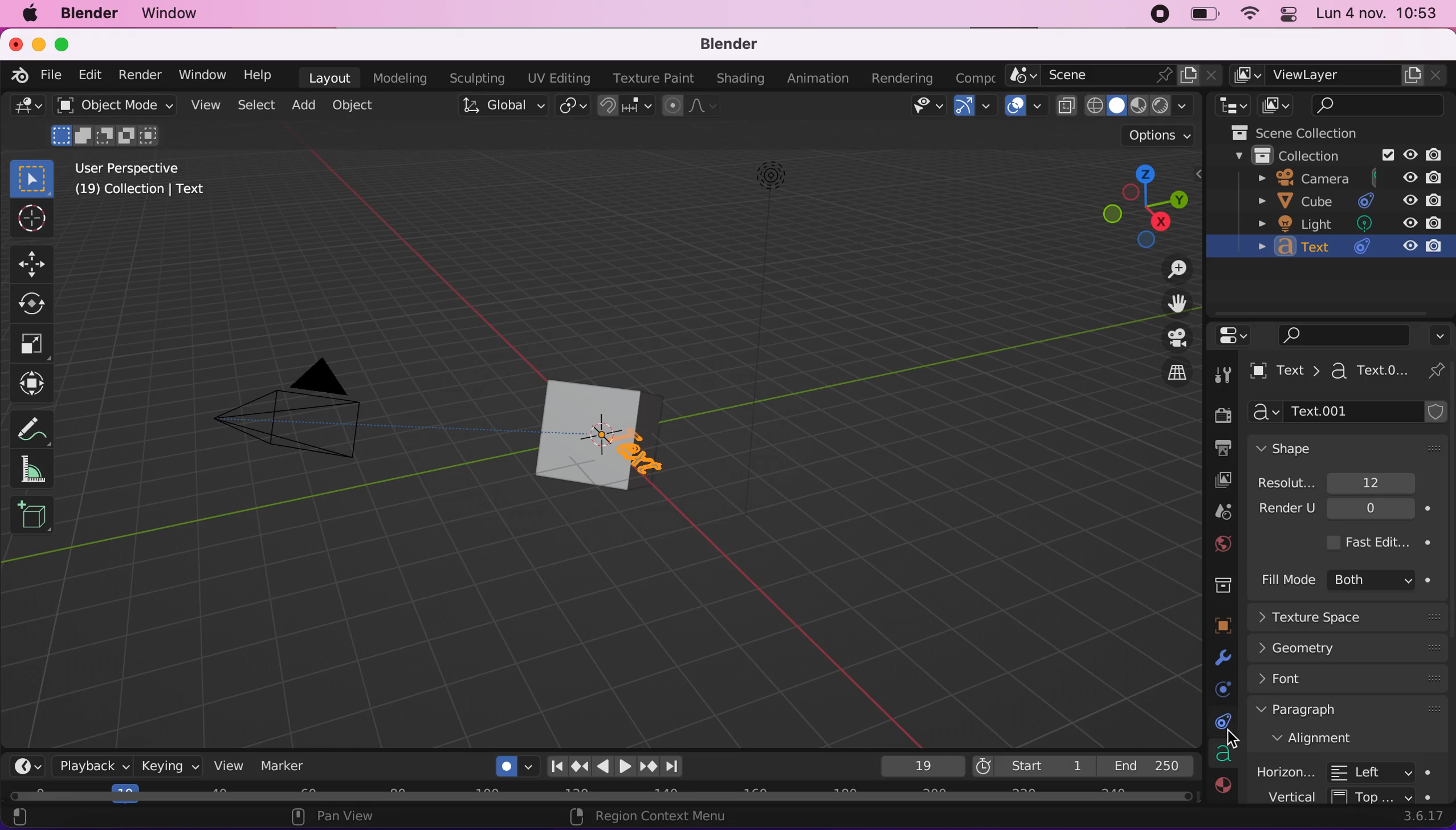  What do you see at coordinates (1118, 76) in the screenshot?
I see `scene` at bounding box center [1118, 76].